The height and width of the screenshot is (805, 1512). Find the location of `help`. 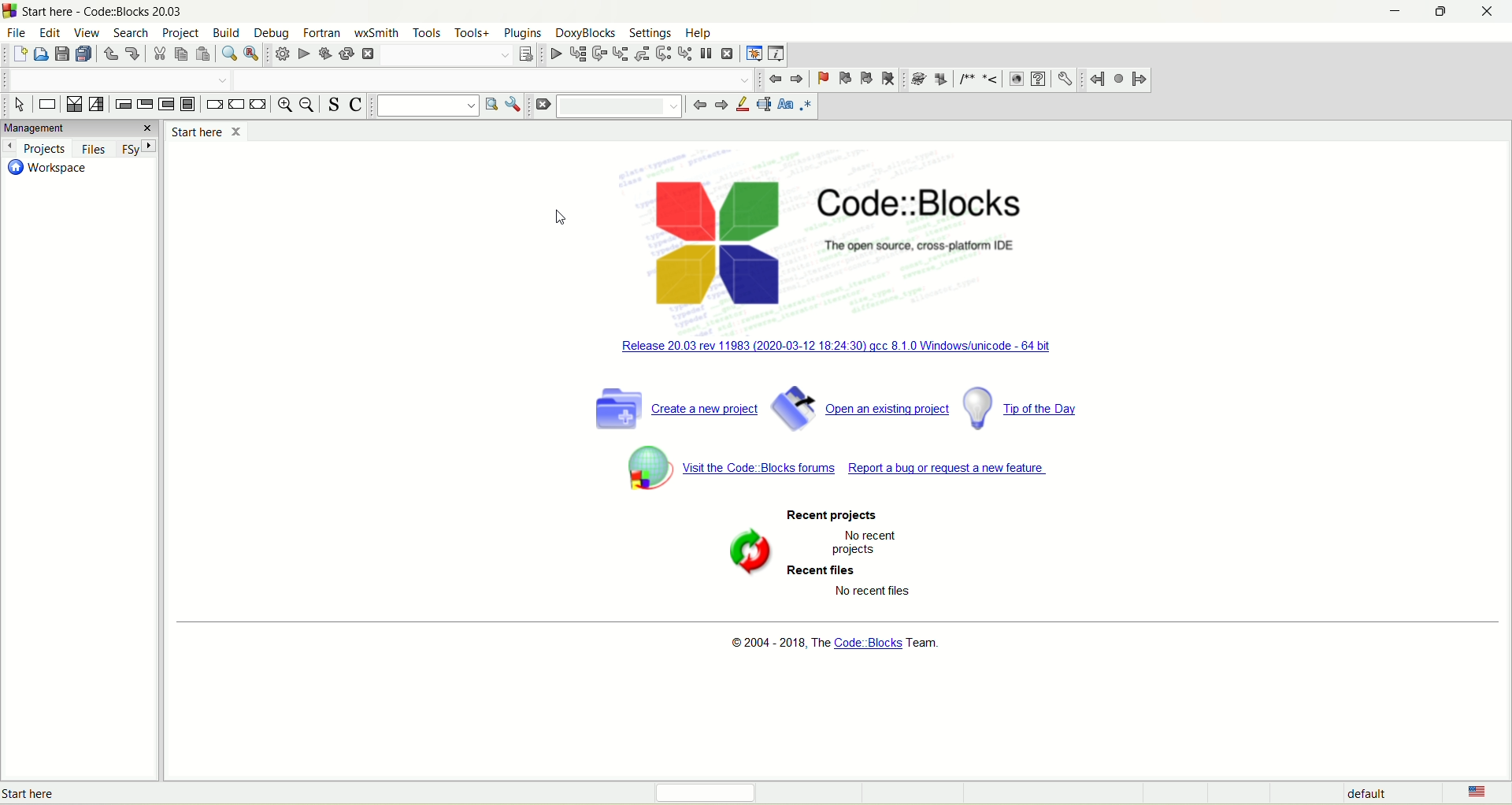

help is located at coordinates (699, 33).